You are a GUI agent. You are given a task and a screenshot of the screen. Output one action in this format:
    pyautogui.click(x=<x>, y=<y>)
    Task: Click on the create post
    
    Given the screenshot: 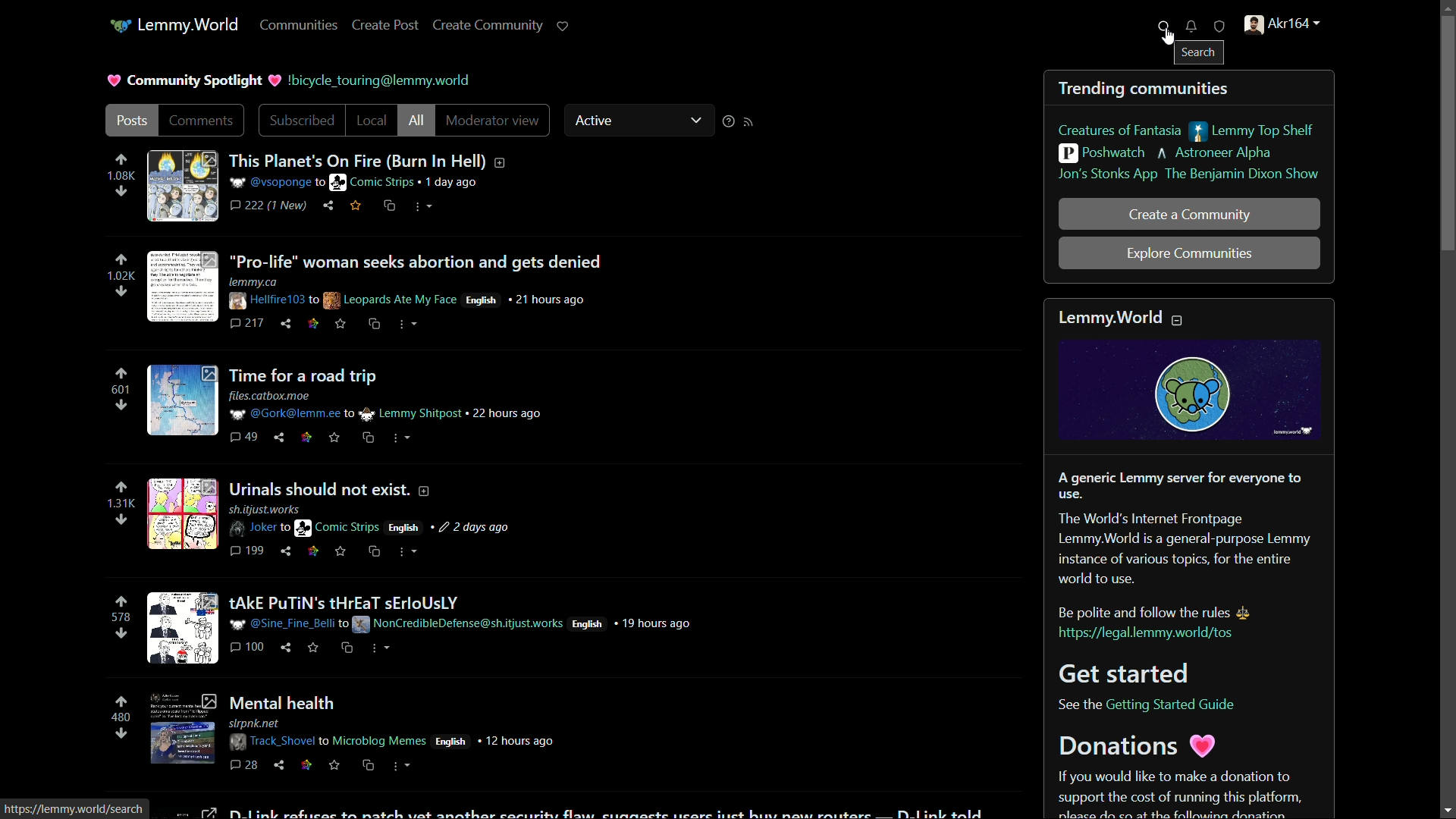 What is the action you would take?
    pyautogui.click(x=388, y=26)
    